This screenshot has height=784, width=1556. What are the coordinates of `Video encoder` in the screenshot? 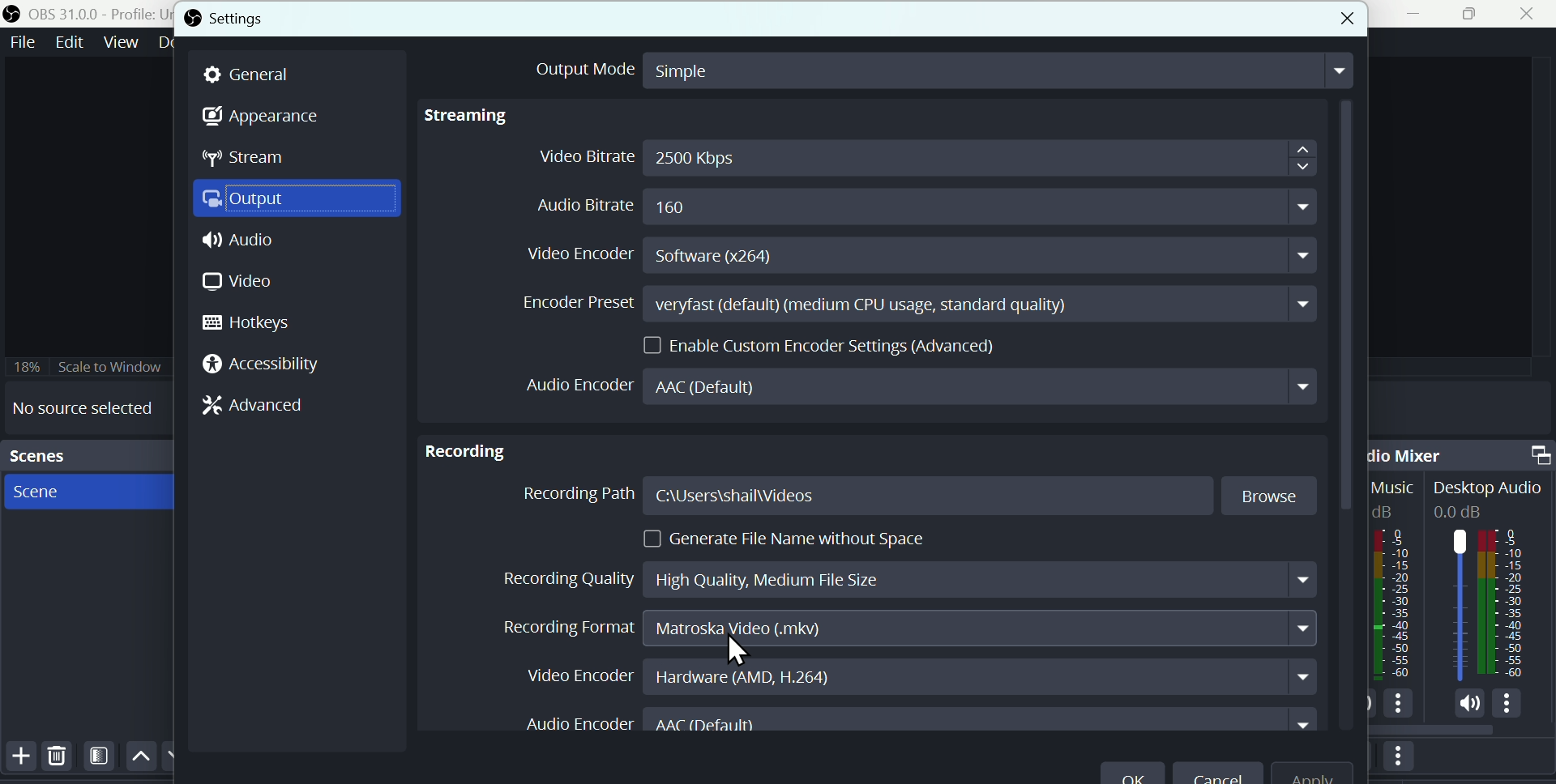 It's located at (927, 252).